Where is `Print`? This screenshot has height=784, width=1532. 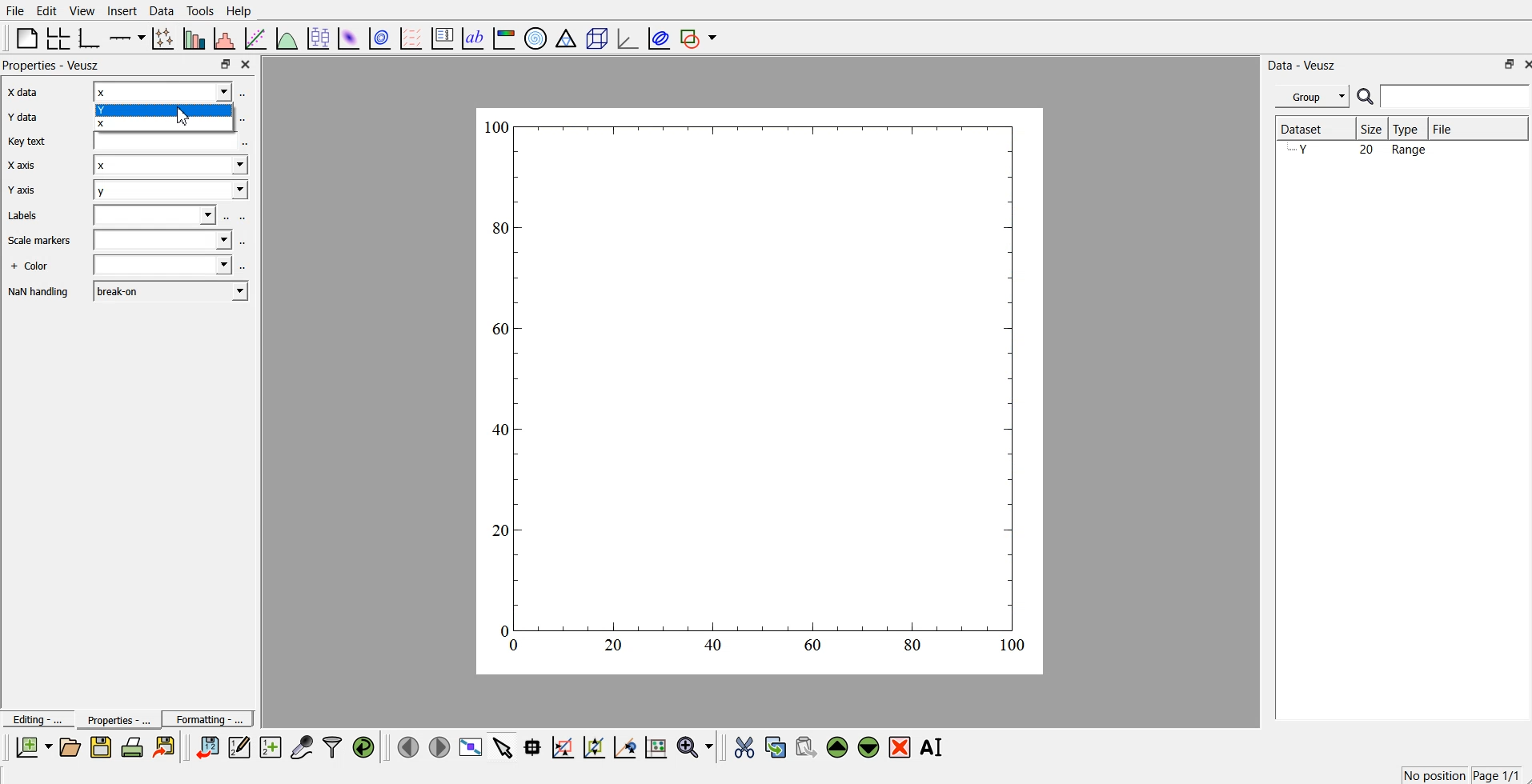
Print is located at coordinates (133, 747).